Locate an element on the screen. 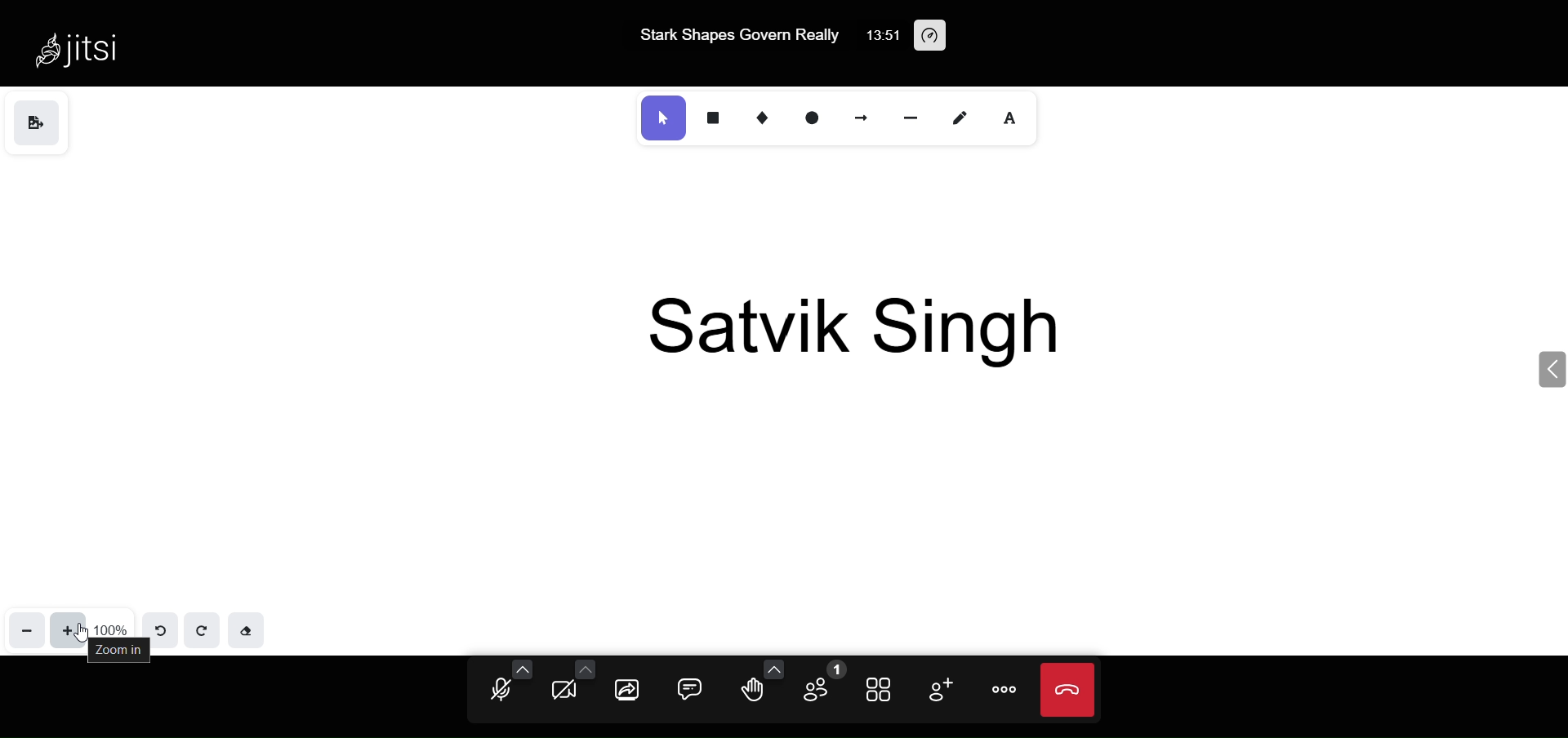  Stark Shapes Govern Really is located at coordinates (736, 38).